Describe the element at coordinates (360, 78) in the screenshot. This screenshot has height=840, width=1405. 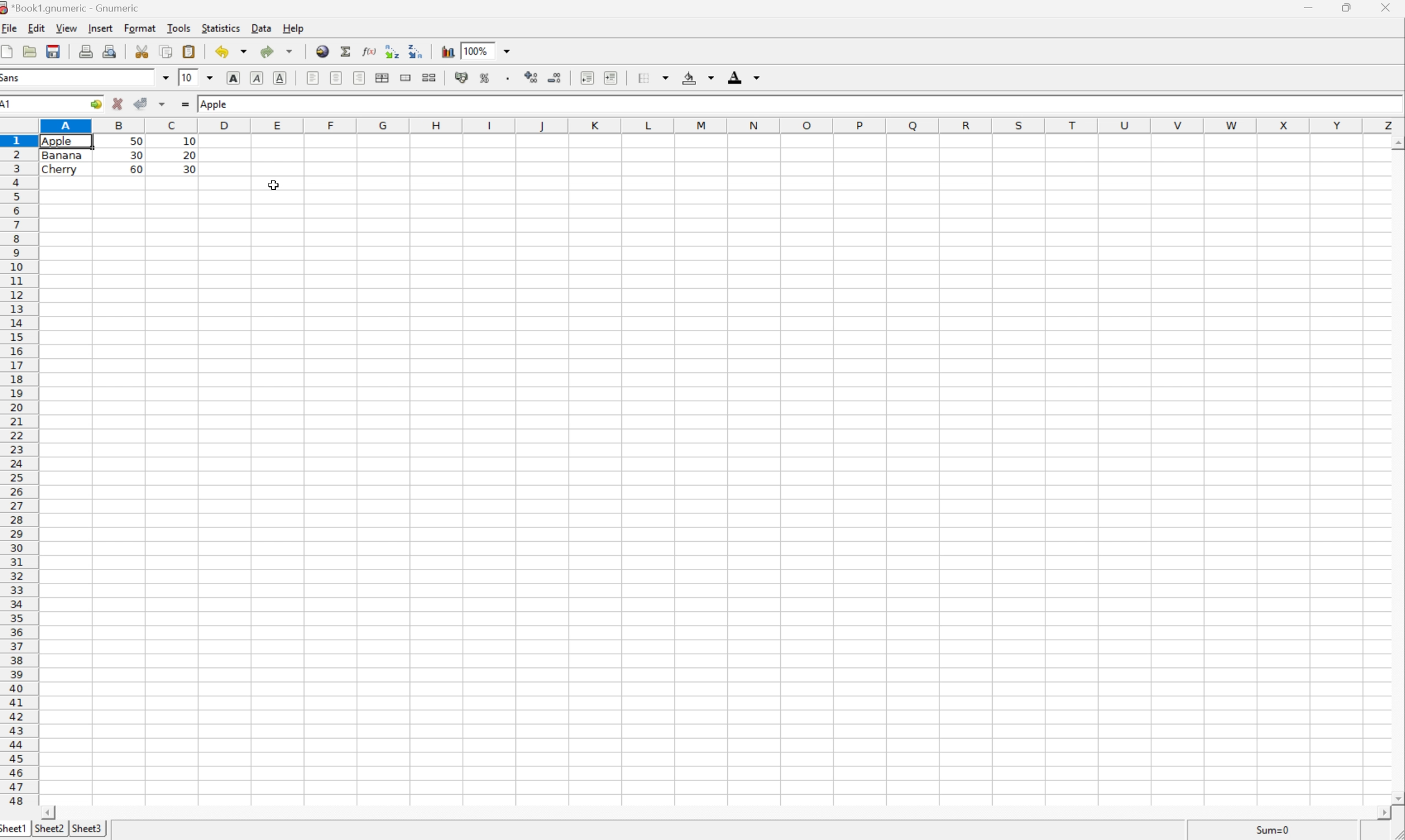
I see `align right` at that location.